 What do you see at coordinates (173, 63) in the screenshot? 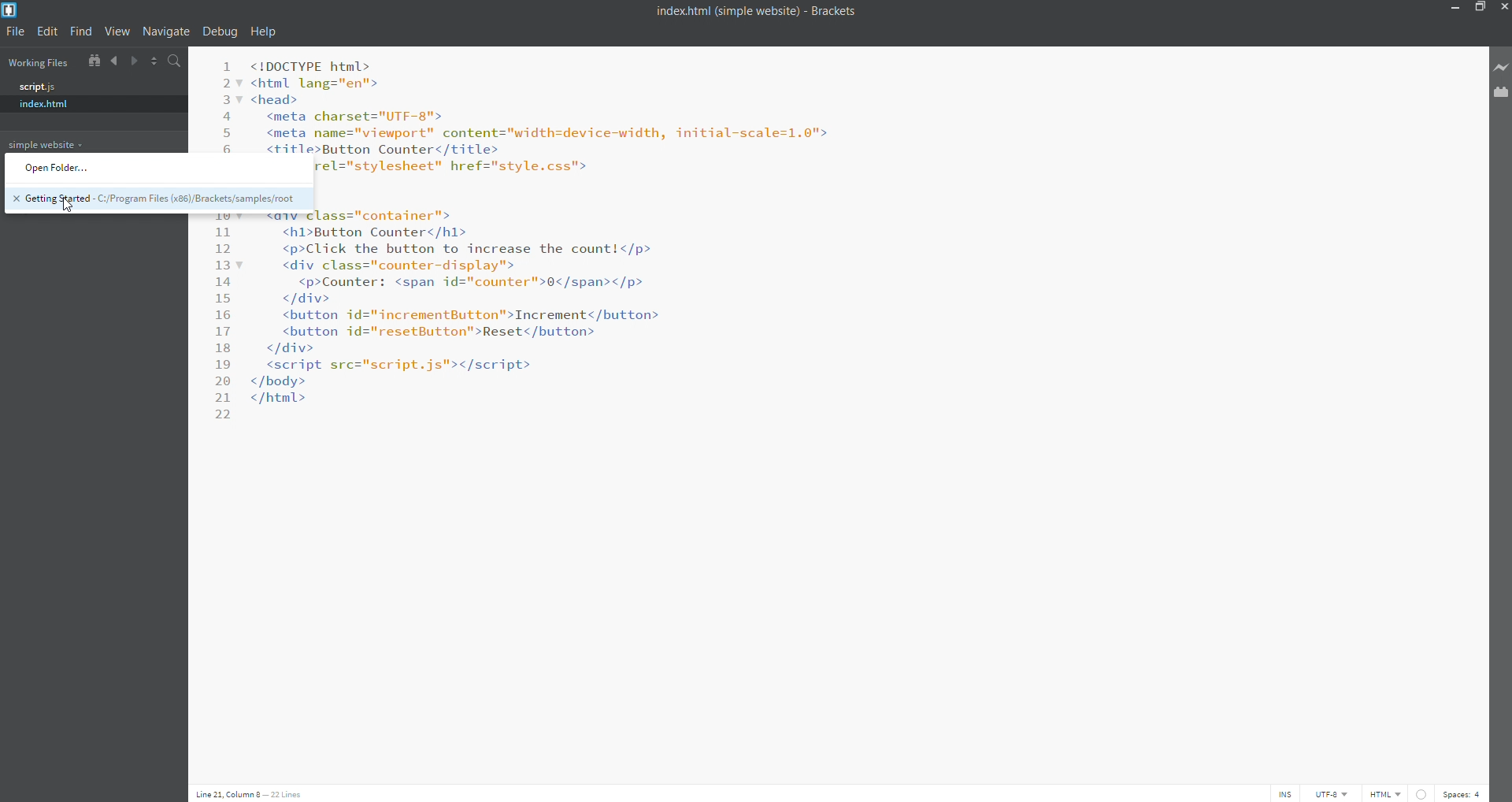
I see `search` at bounding box center [173, 63].